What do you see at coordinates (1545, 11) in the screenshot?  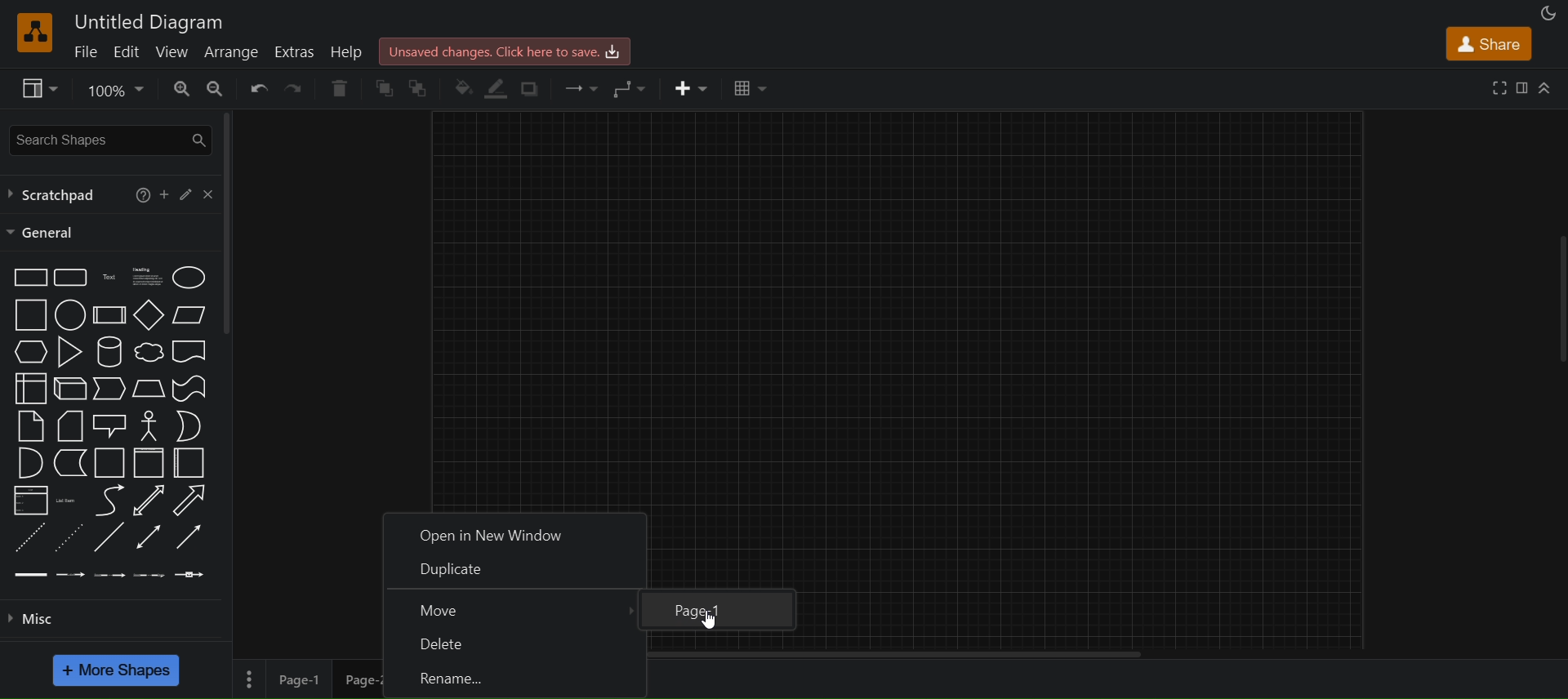 I see `appearance` at bounding box center [1545, 11].